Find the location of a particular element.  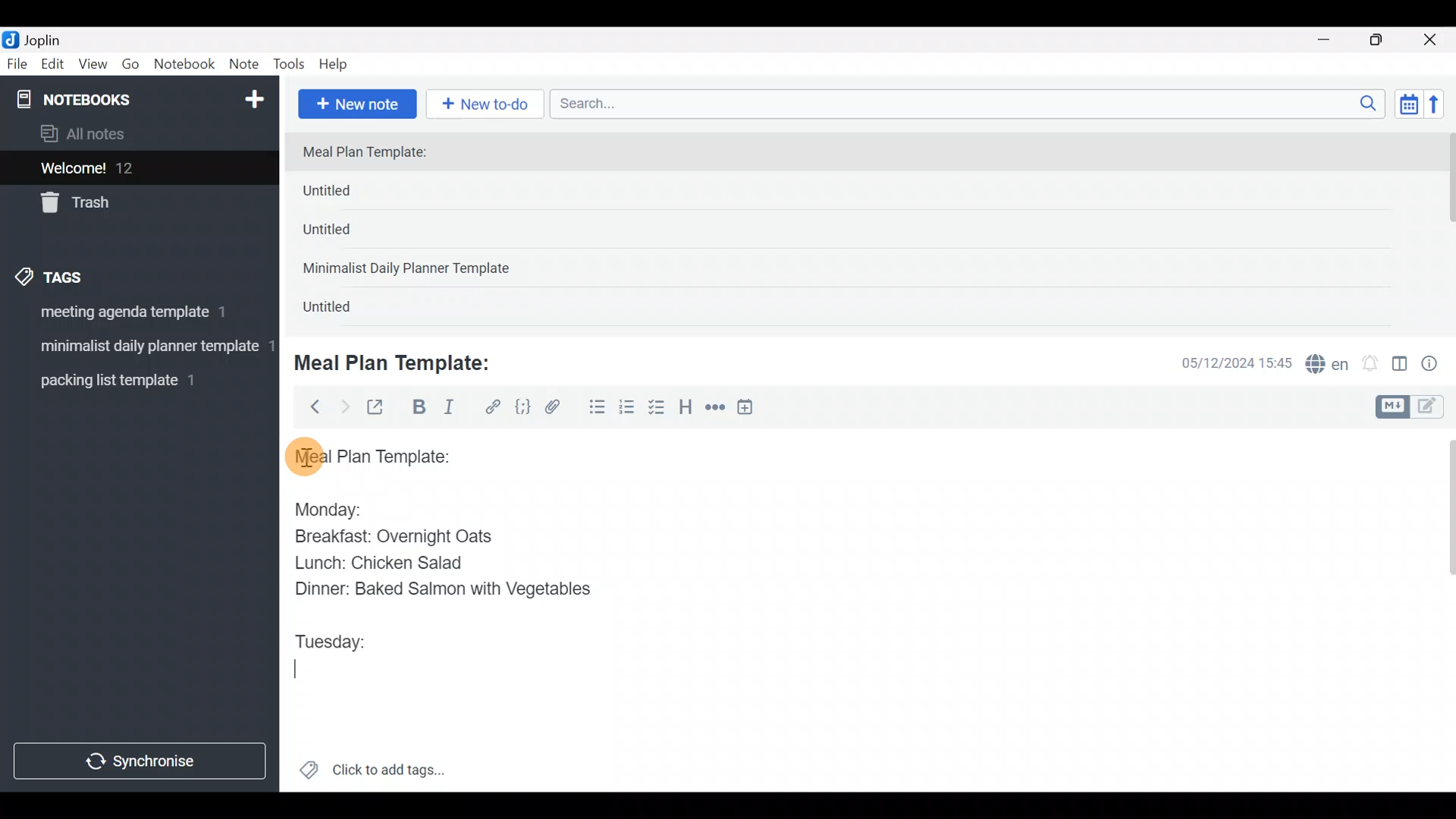

Forward is located at coordinates (344, 406).